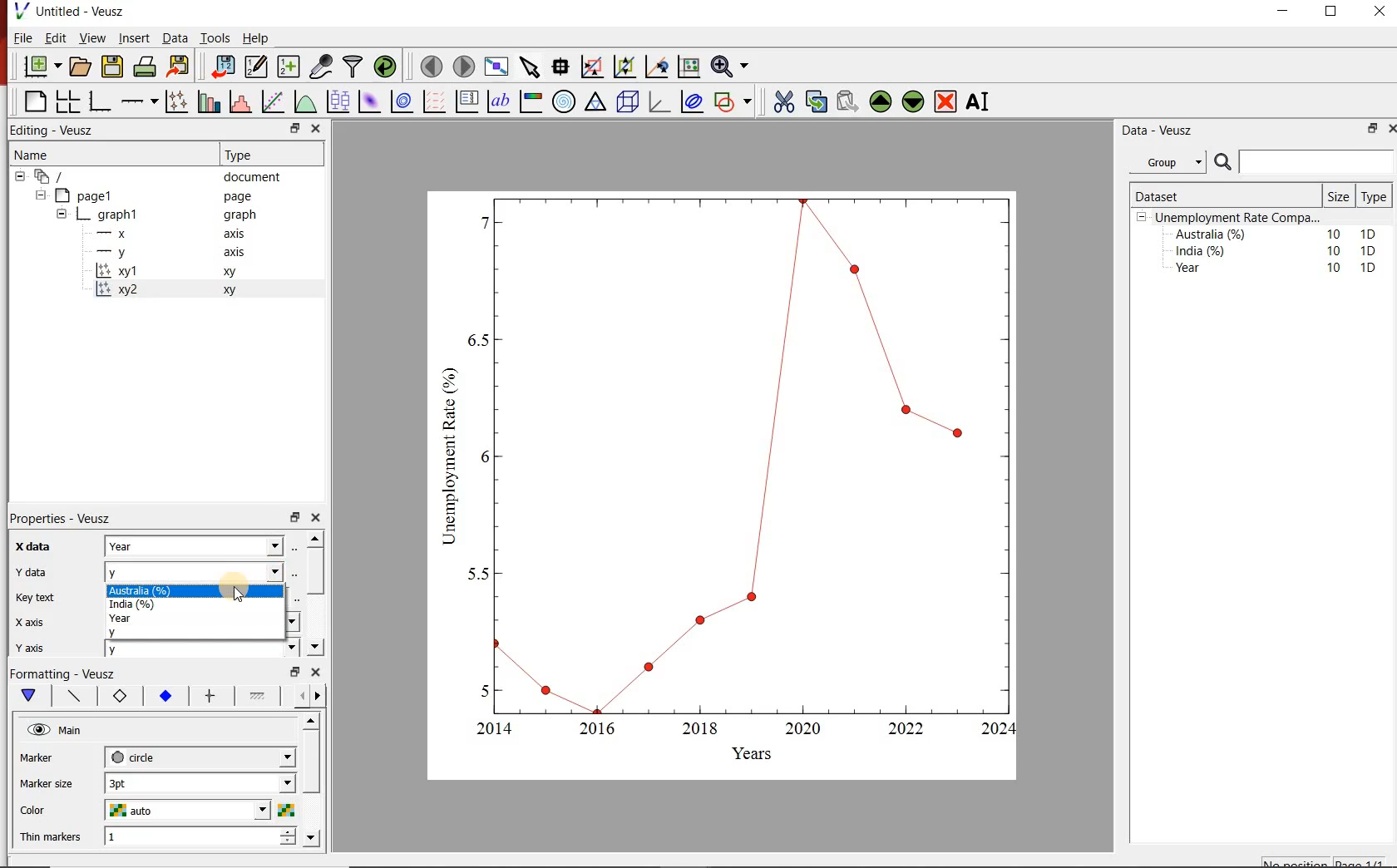 This screenshot has height=868, width=1397. I want to click on page1 page, so click(160, 195).